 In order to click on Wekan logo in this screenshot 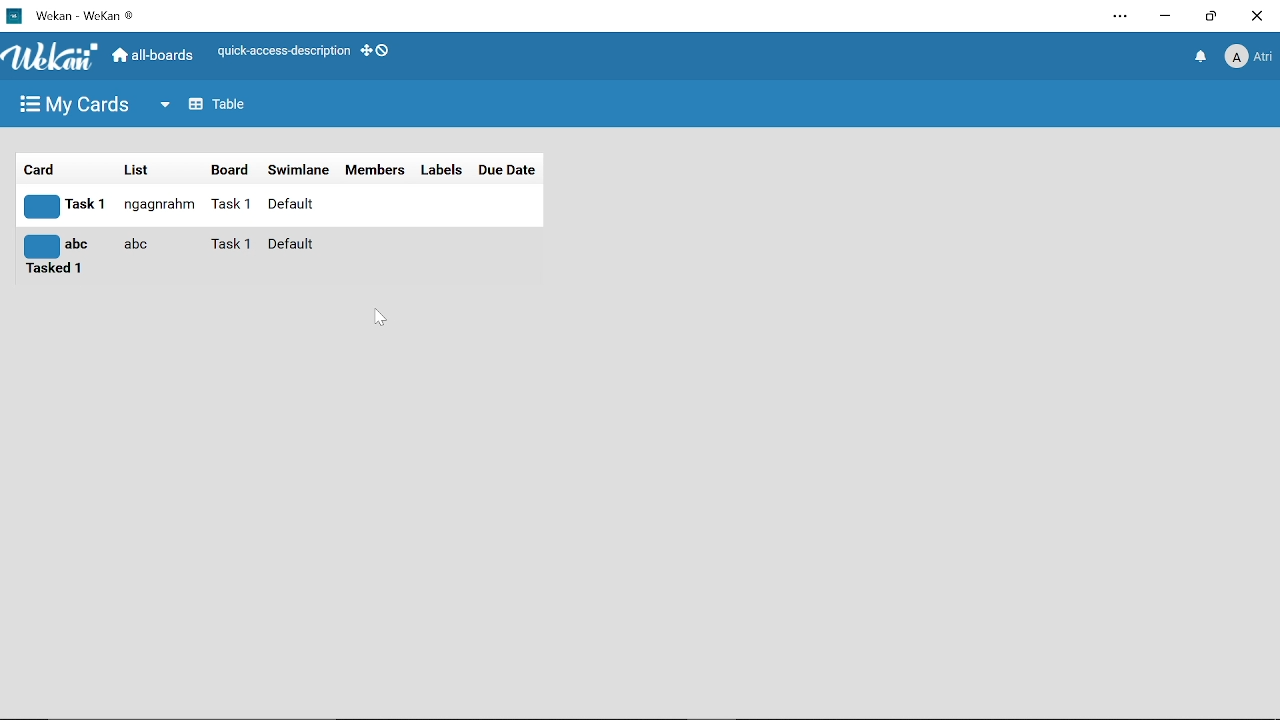, I will do `click(52, 58)`.